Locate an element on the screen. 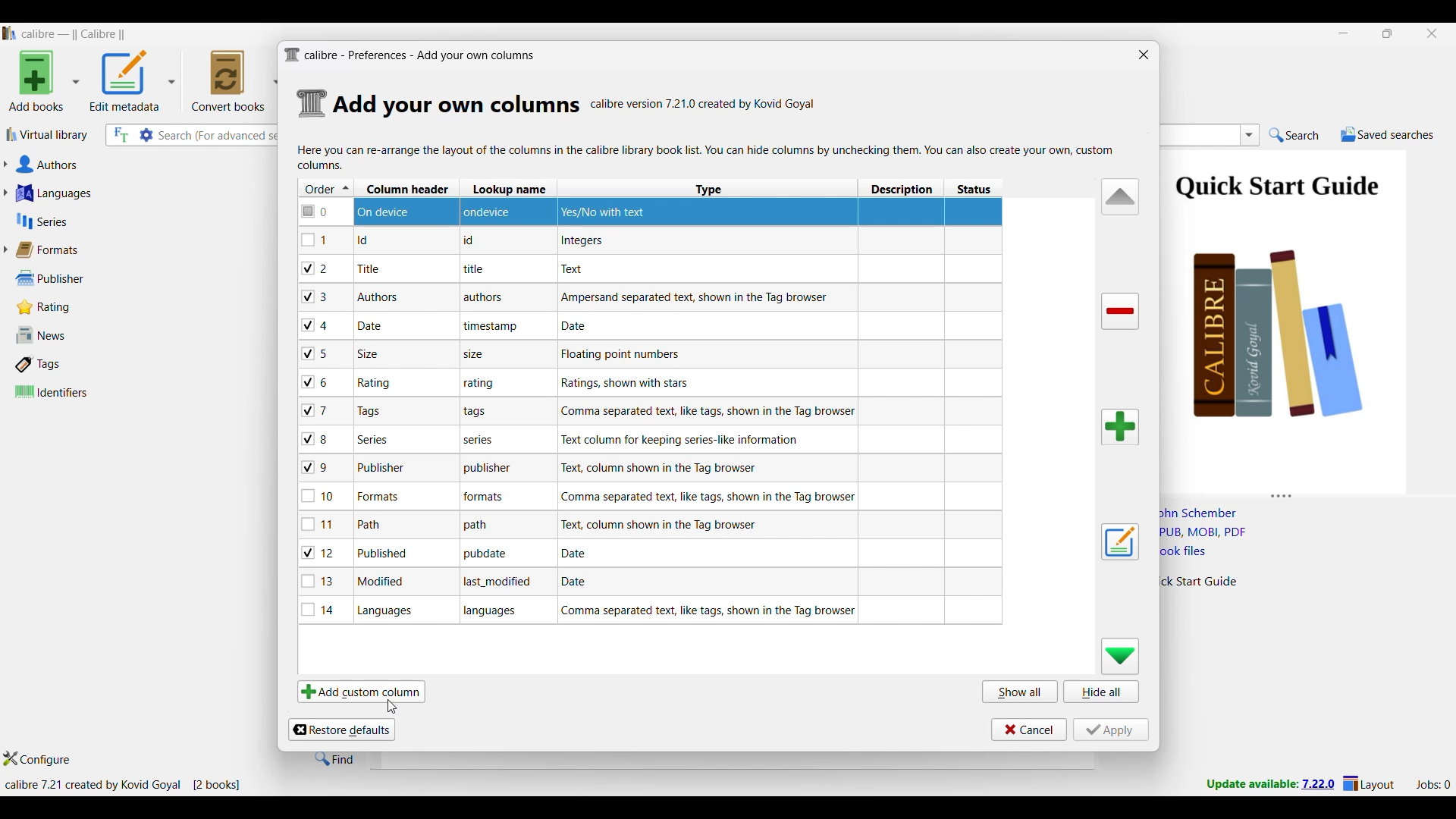 This screenshot has width=1456, height=819. checkbox - 11 is located at coordinates (320, 524).